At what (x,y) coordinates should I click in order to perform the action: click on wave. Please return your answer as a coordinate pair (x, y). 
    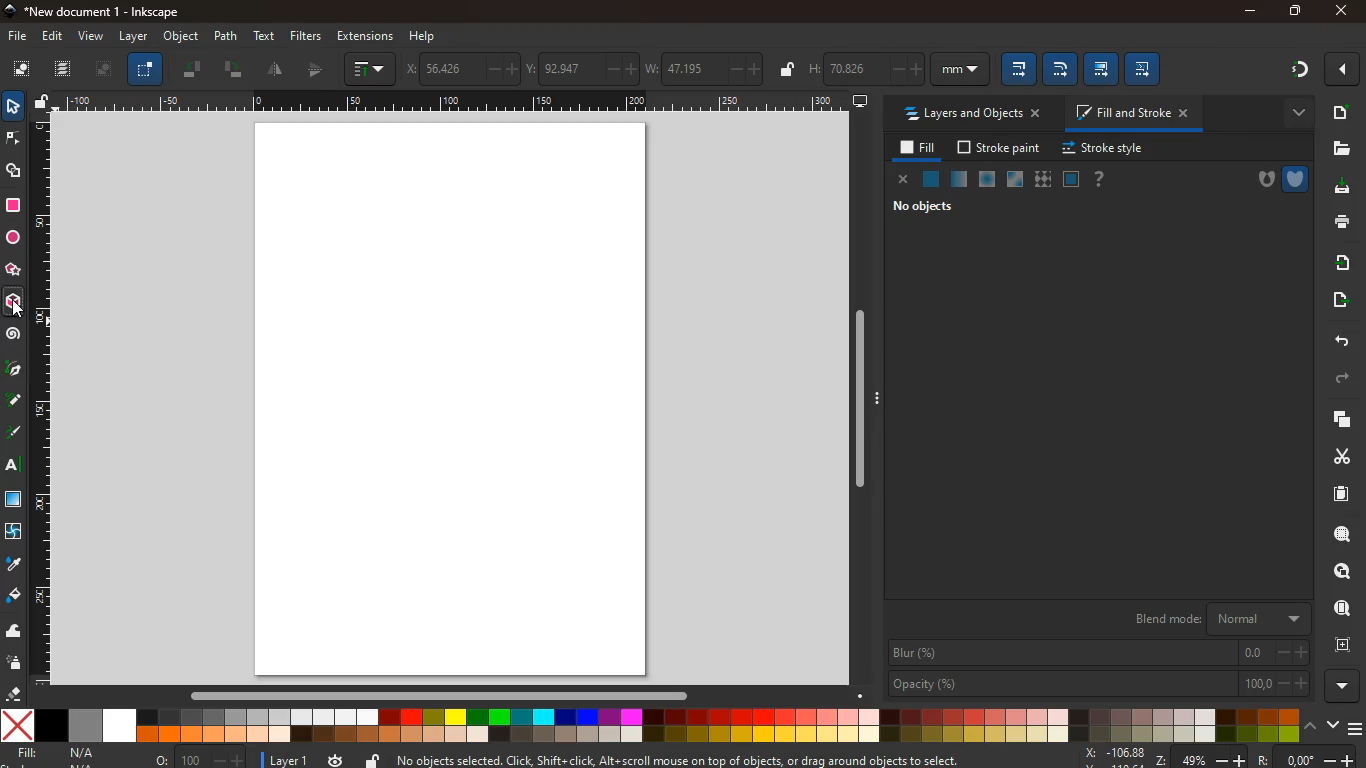
    Looking at the image, I should click on (16, 633).